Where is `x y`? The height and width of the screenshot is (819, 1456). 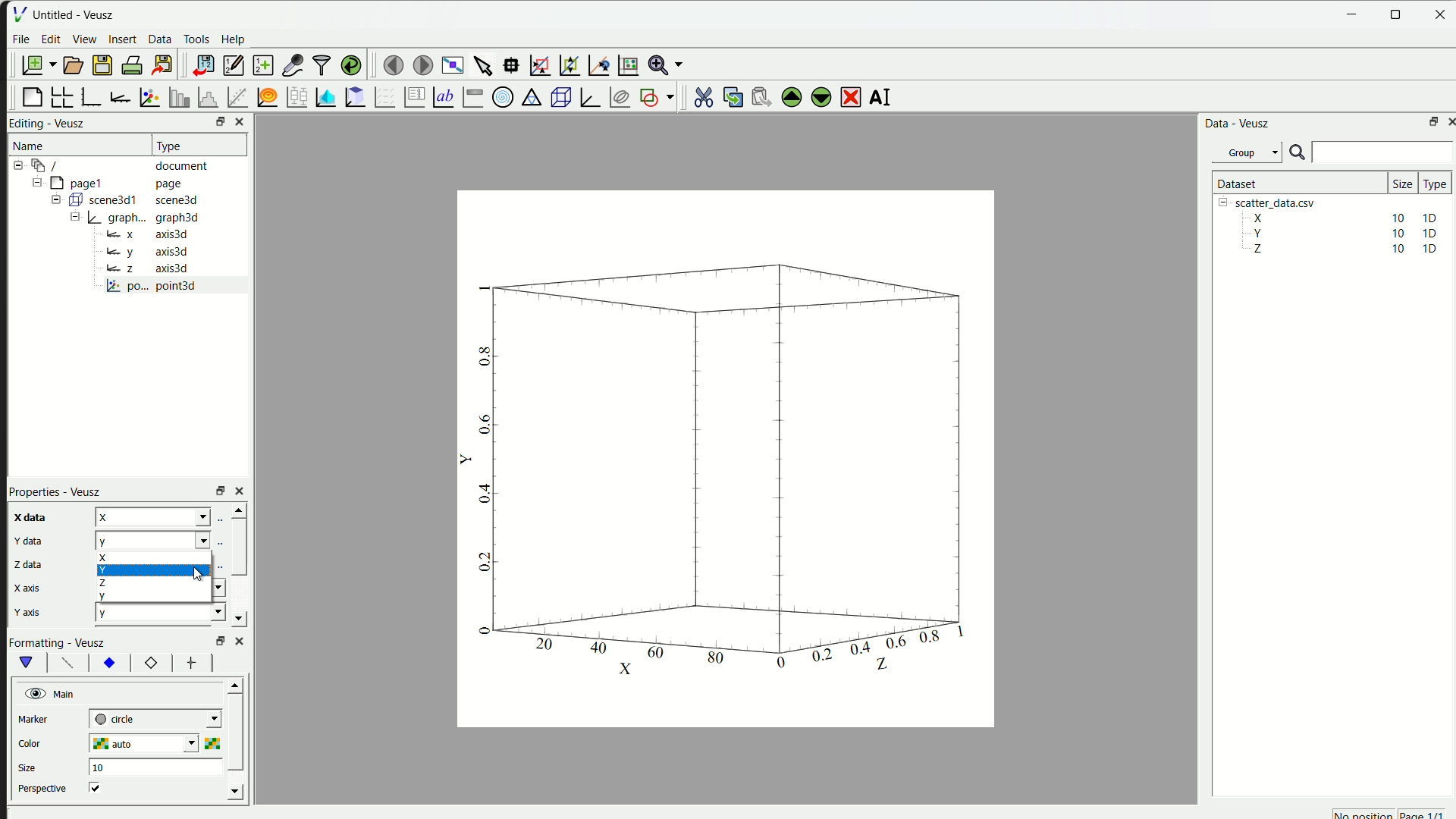
x y is located at coordinates (168, 539).